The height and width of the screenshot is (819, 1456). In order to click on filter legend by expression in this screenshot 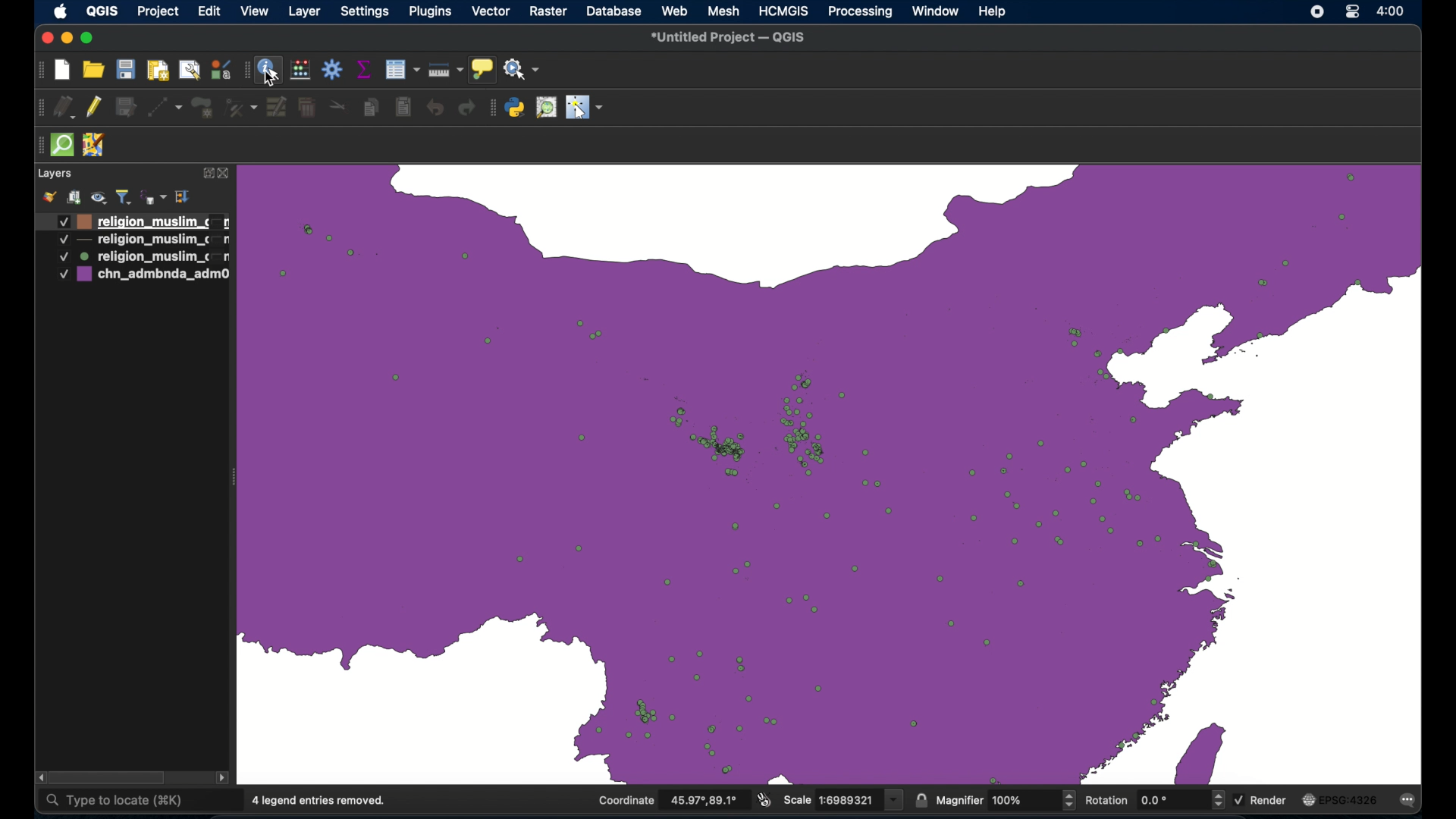, I will do `click(154, 196)`.